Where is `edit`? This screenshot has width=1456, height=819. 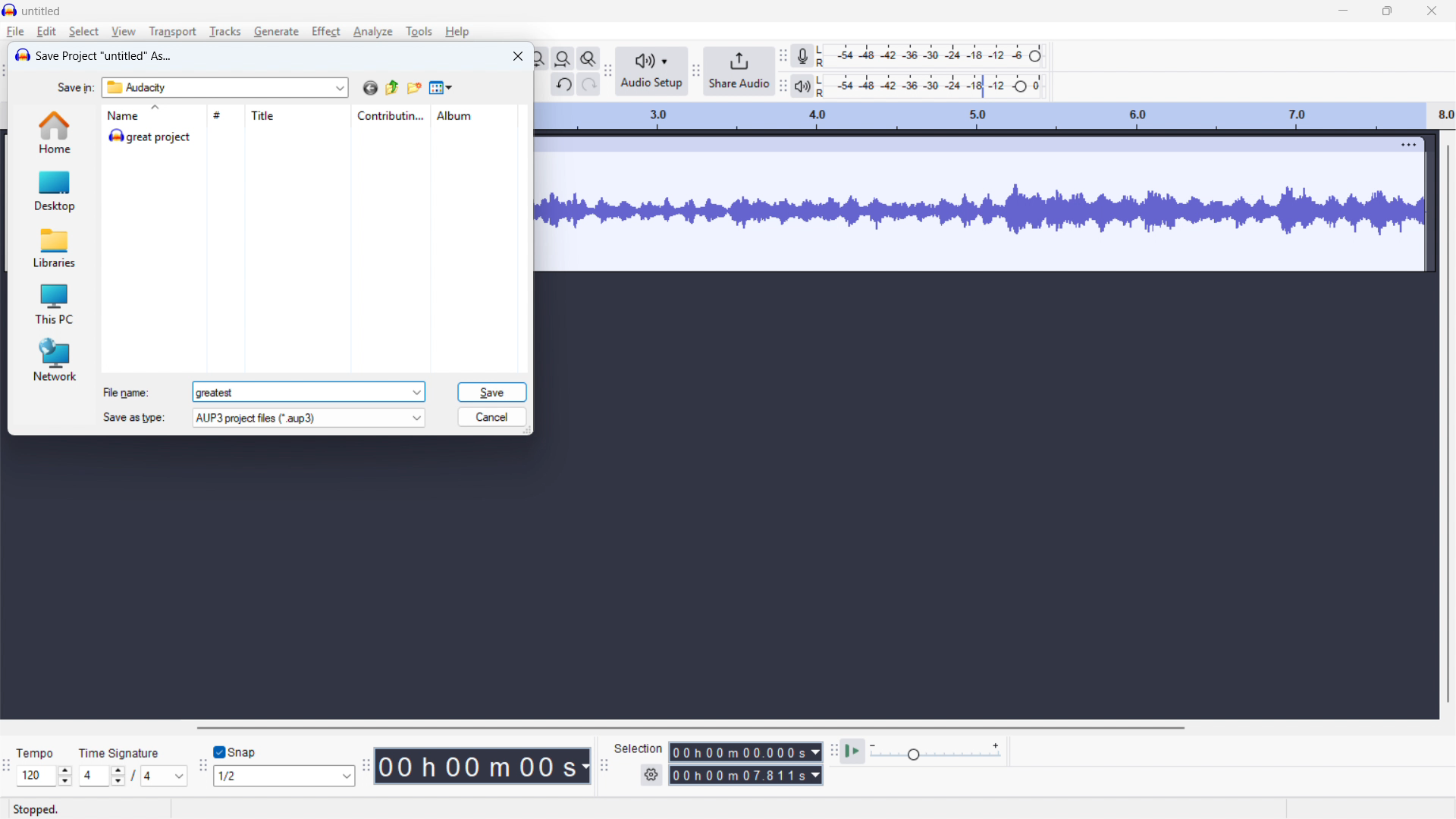 edit is located at coordinates (47, 32).